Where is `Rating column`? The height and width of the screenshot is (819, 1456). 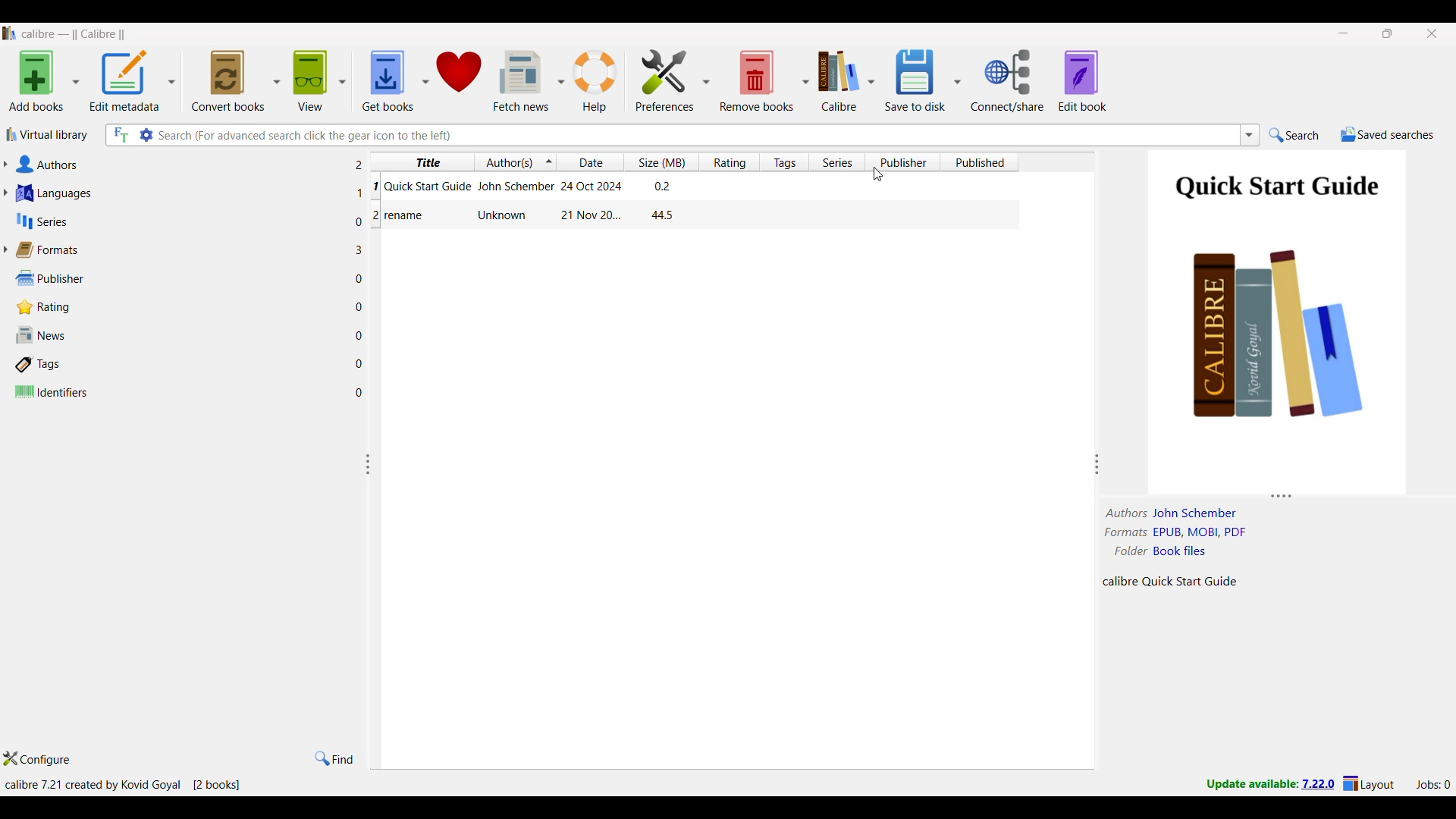
Rating column is located at coordinates (729, 162).